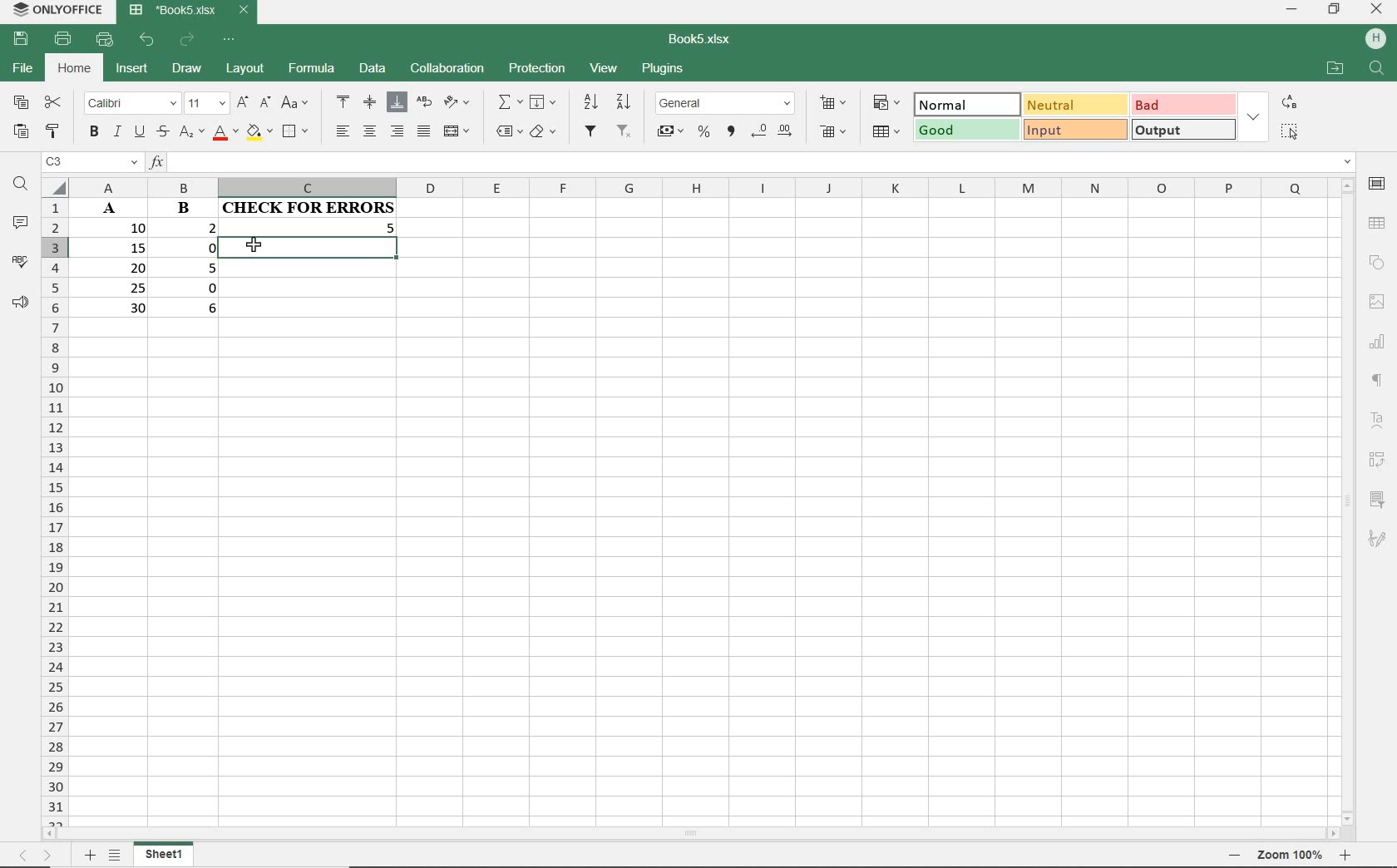  What do you see at coordinates (19, 133) in the screenshot?
I see `PASTE` at bounding box center [19, 133].